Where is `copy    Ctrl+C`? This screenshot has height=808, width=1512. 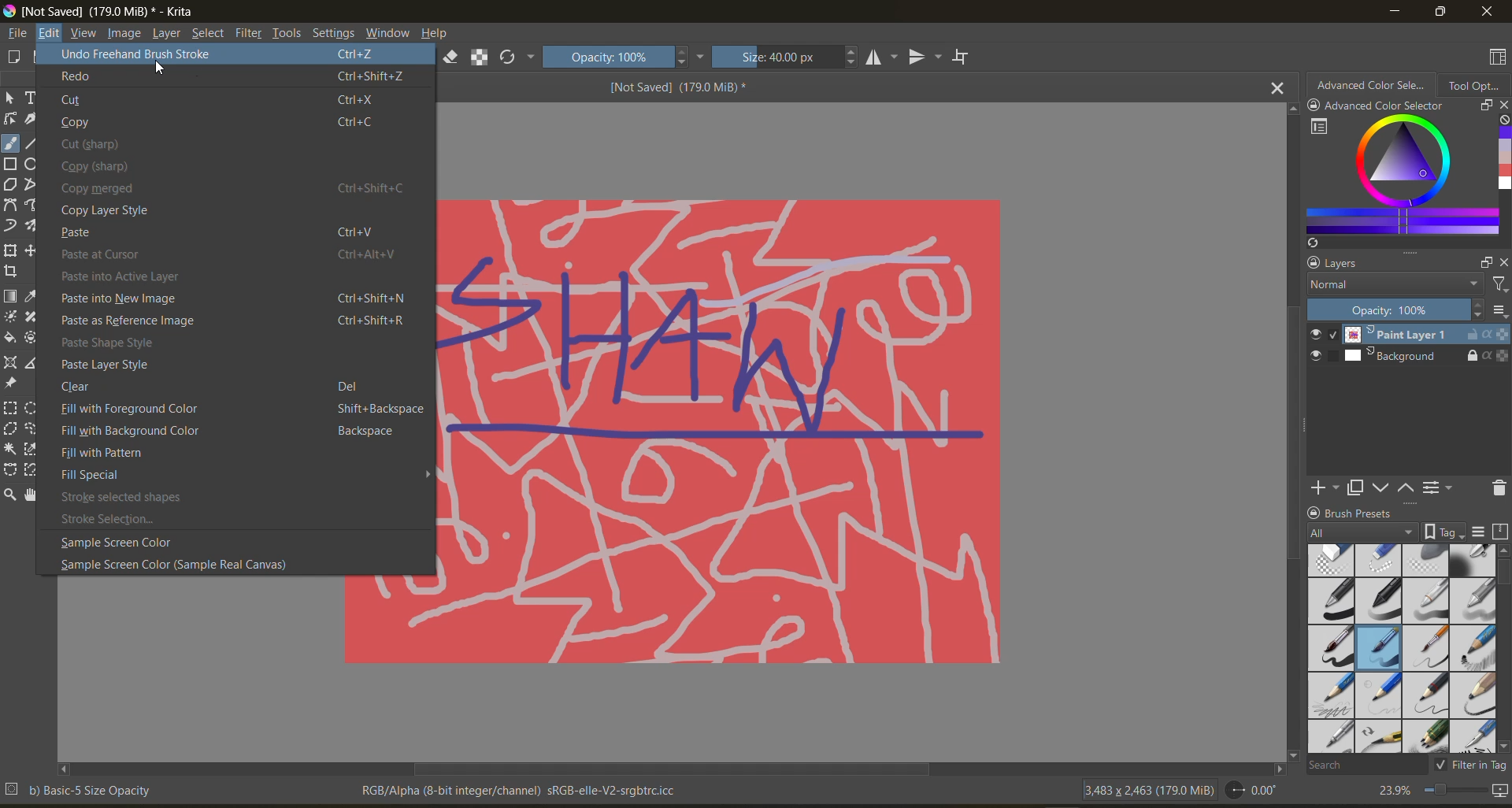
copy    Ctrl+C is located at coordinates (225, 124).